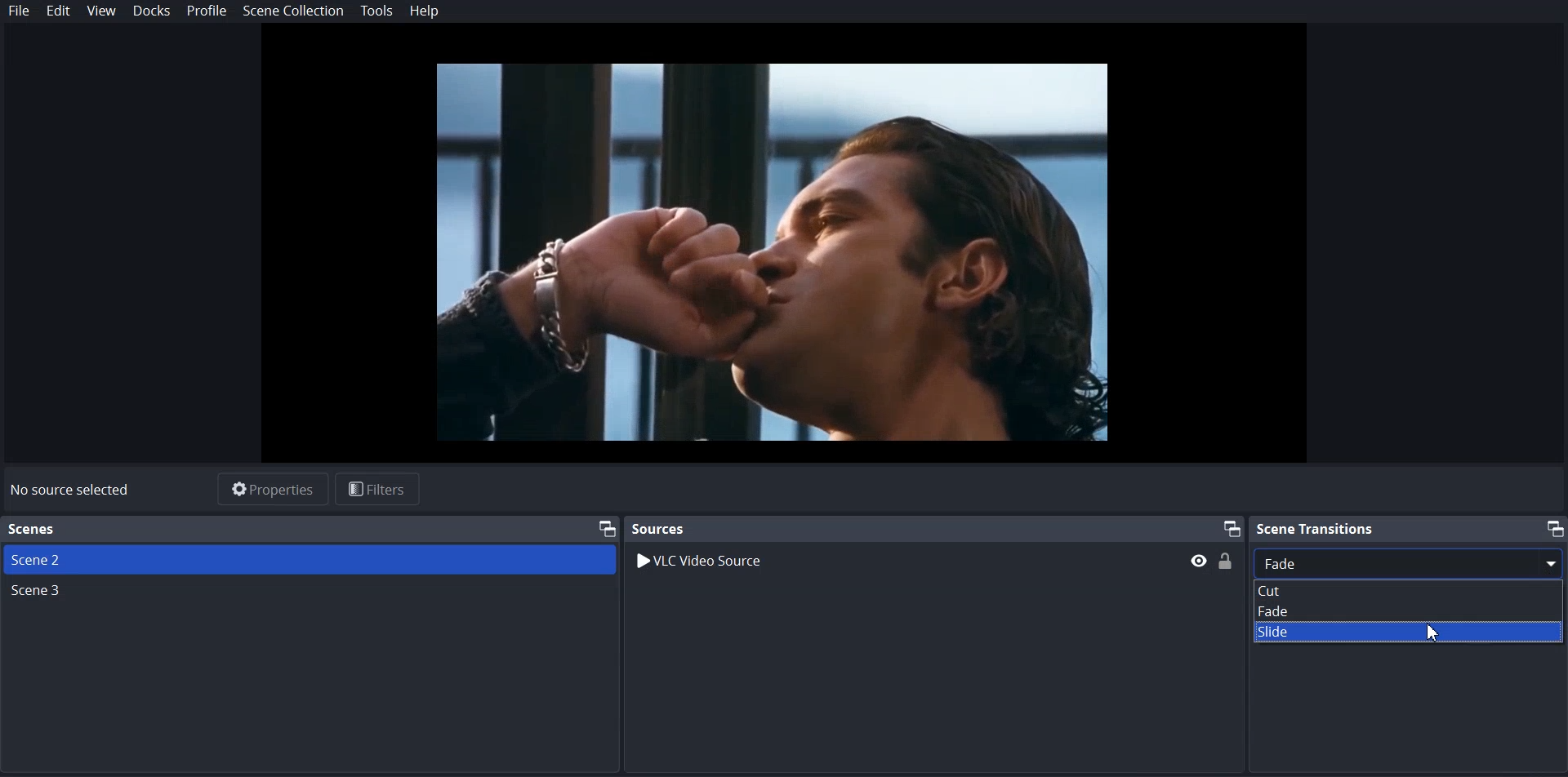 The width and height of the screenshot is (1568, 777). I want to click on Dock, so click(152, 11).